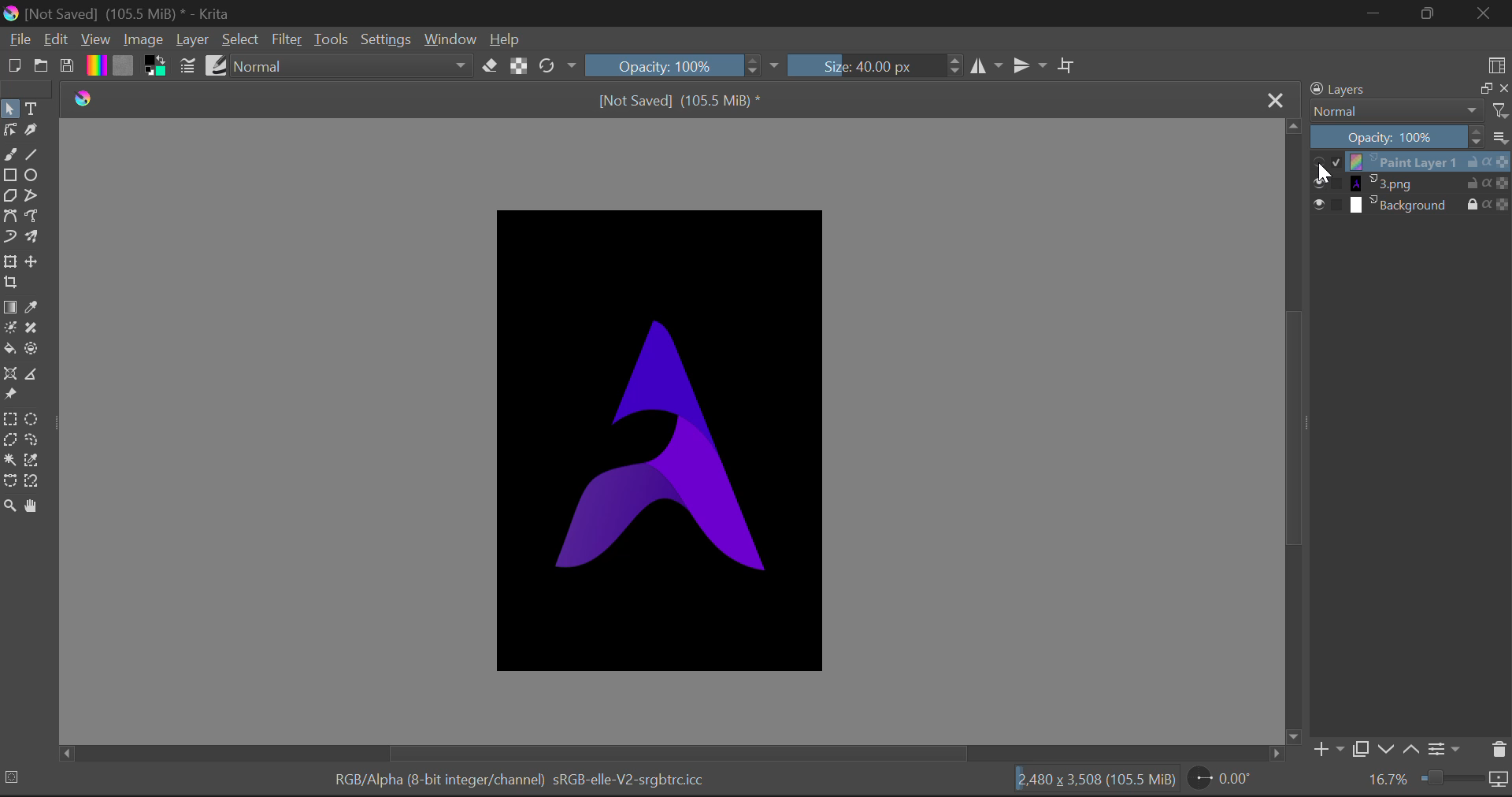  What do you see at coordinates (36, 374) in the screenshot?
I see `Measurements` at bounding box center [36, 374].